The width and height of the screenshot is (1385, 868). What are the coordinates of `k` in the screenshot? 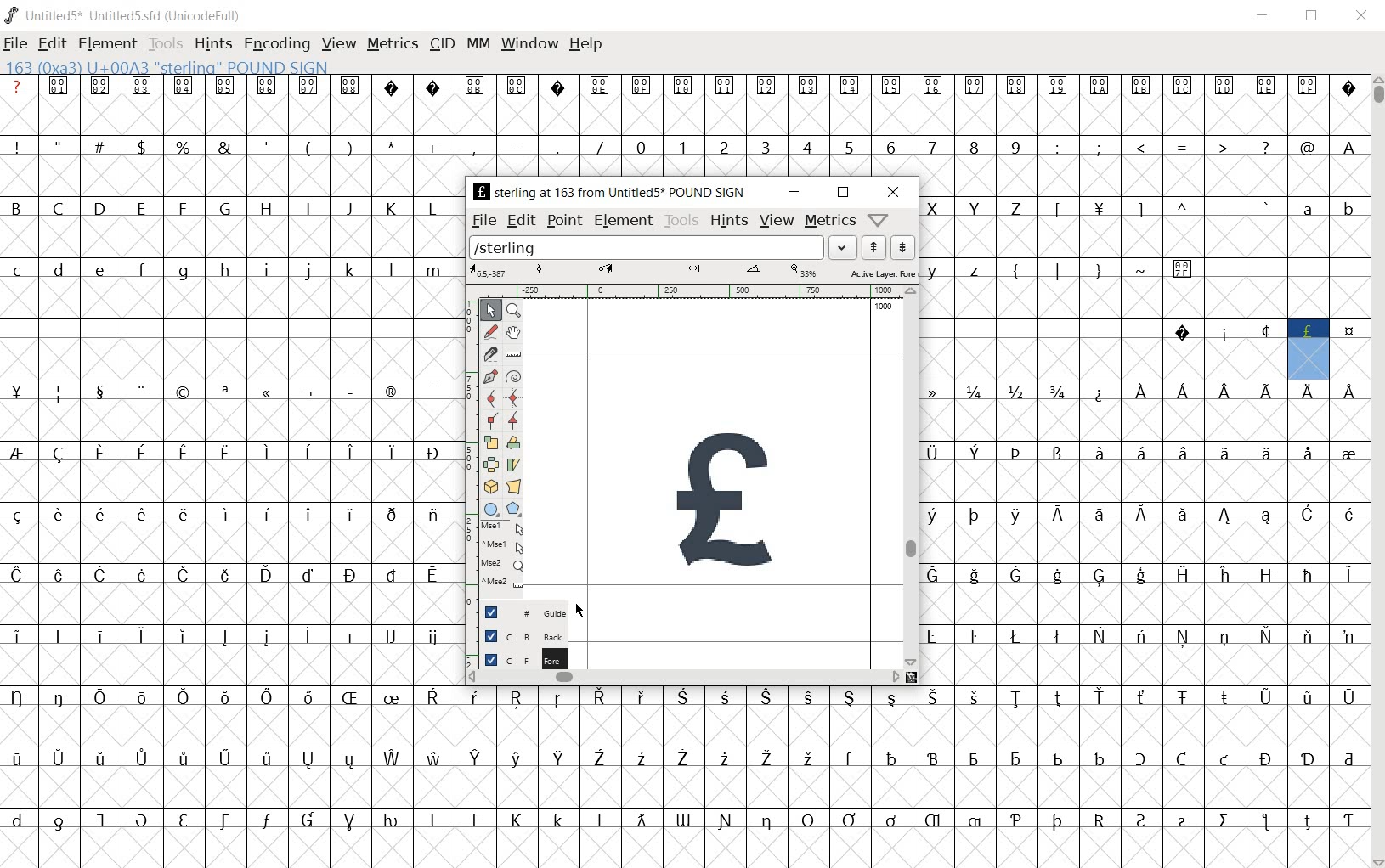 It's located at (349, 269).